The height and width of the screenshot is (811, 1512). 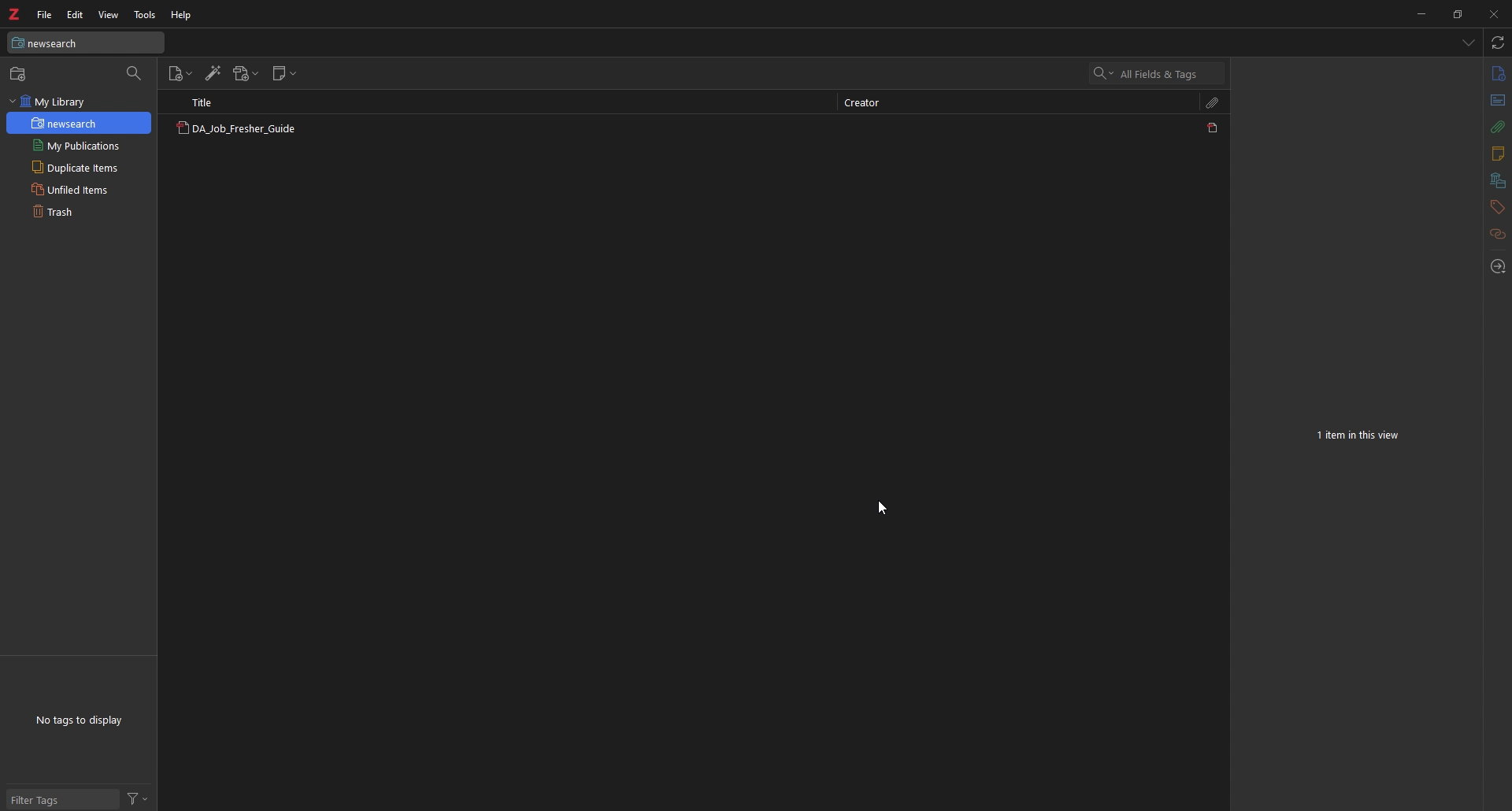 What do you see at coordinates (79, 189) in the screenshot?
I see `unfiled items` at bounding box center [79, 189].